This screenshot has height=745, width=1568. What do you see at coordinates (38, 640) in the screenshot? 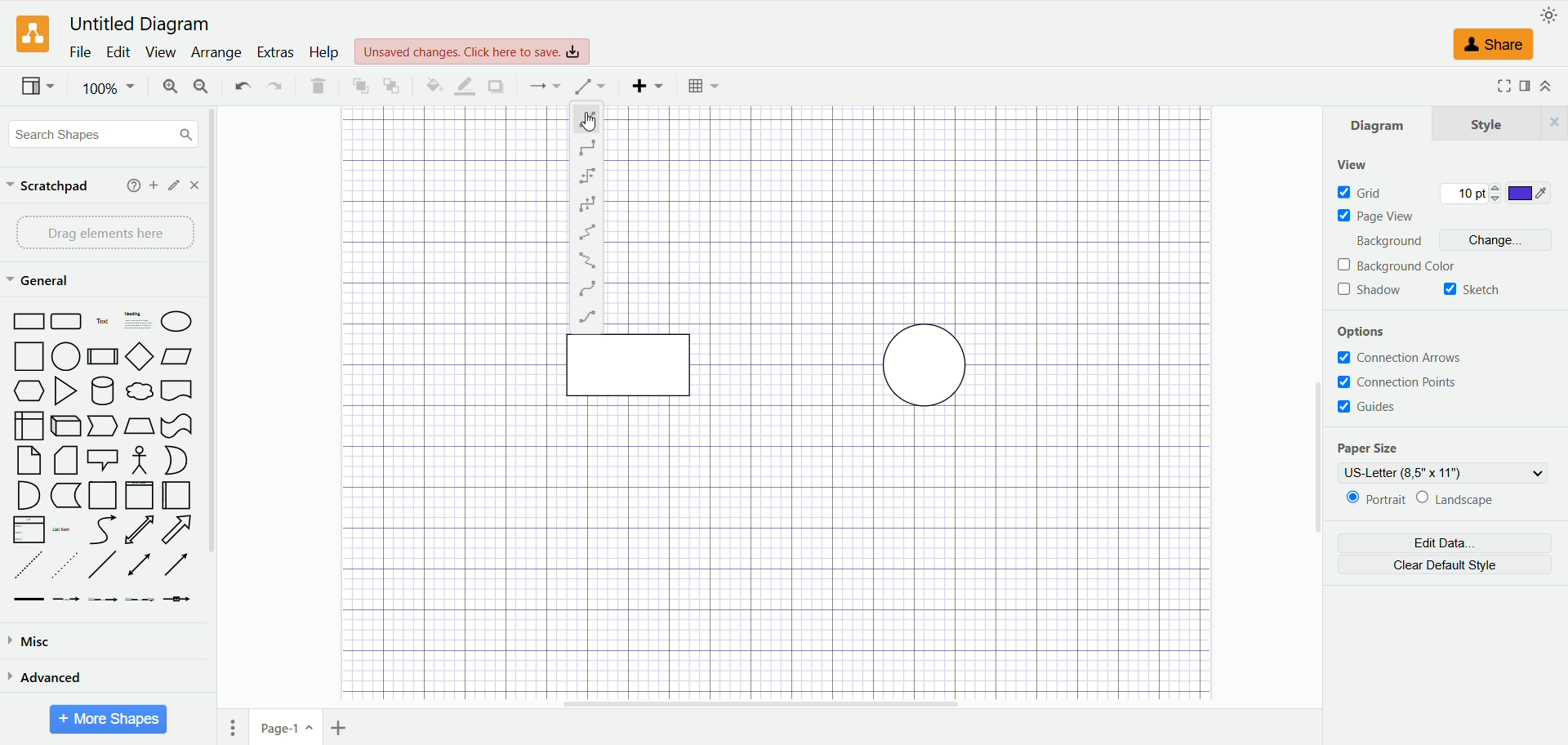
I see `misc` at bounding box center [38, 640].